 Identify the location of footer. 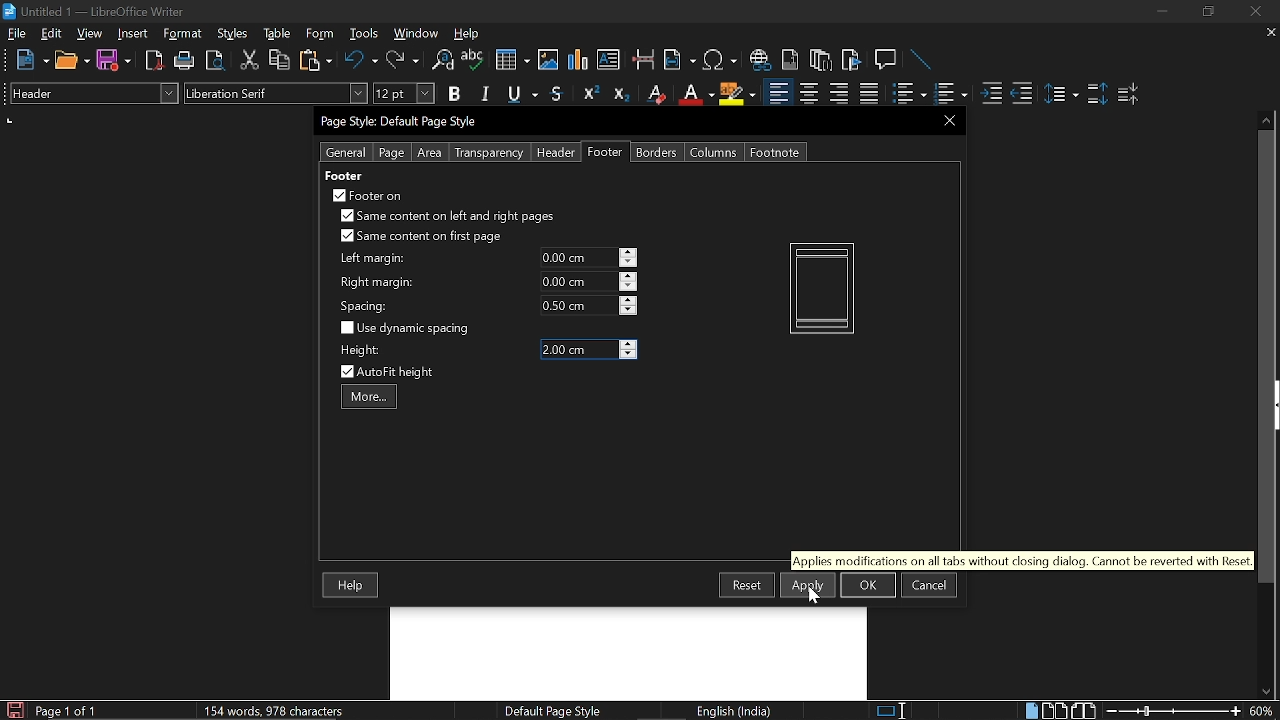
(343, 175).